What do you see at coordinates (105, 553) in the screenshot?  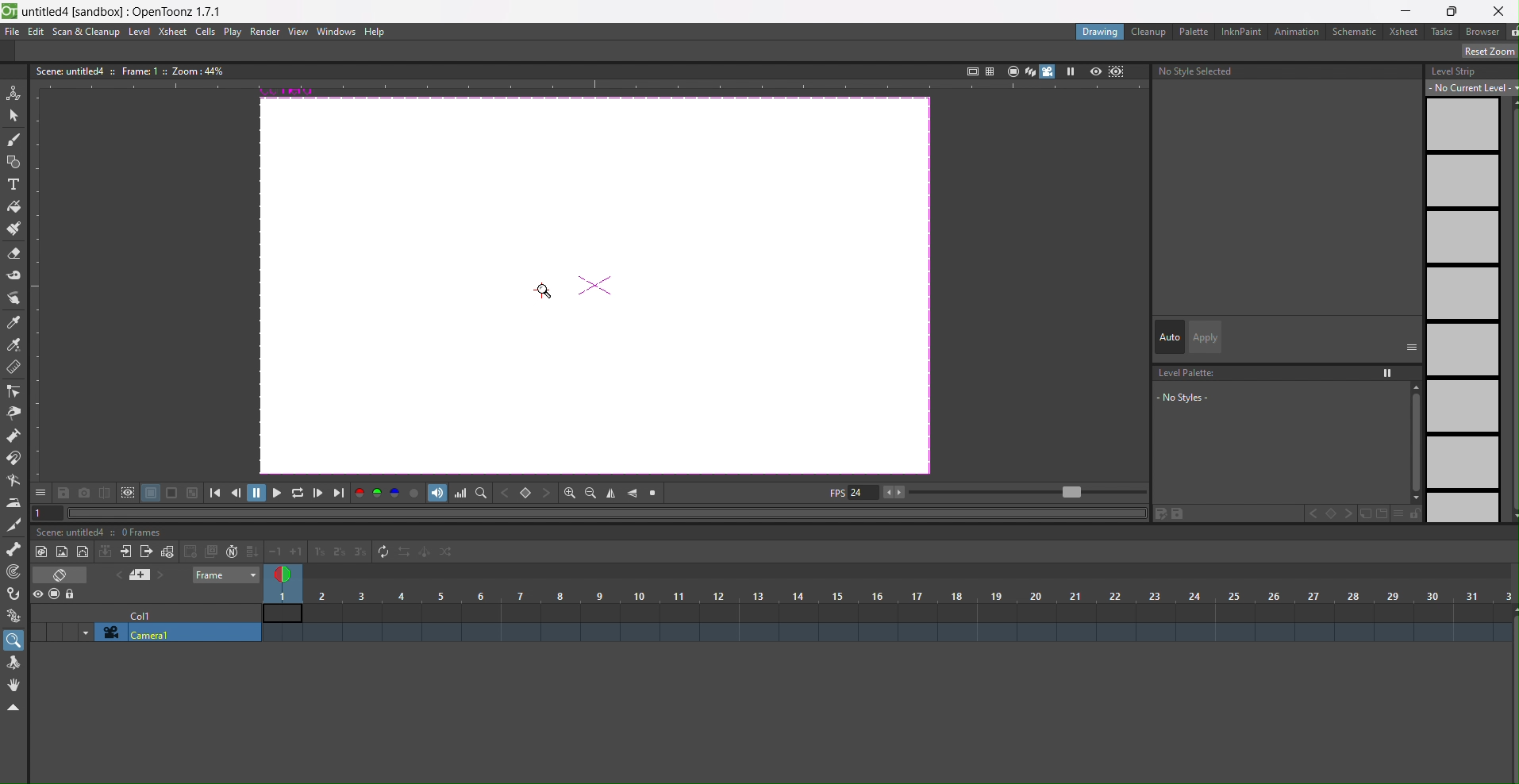 I see `icon` at bounding box center [105, 553].